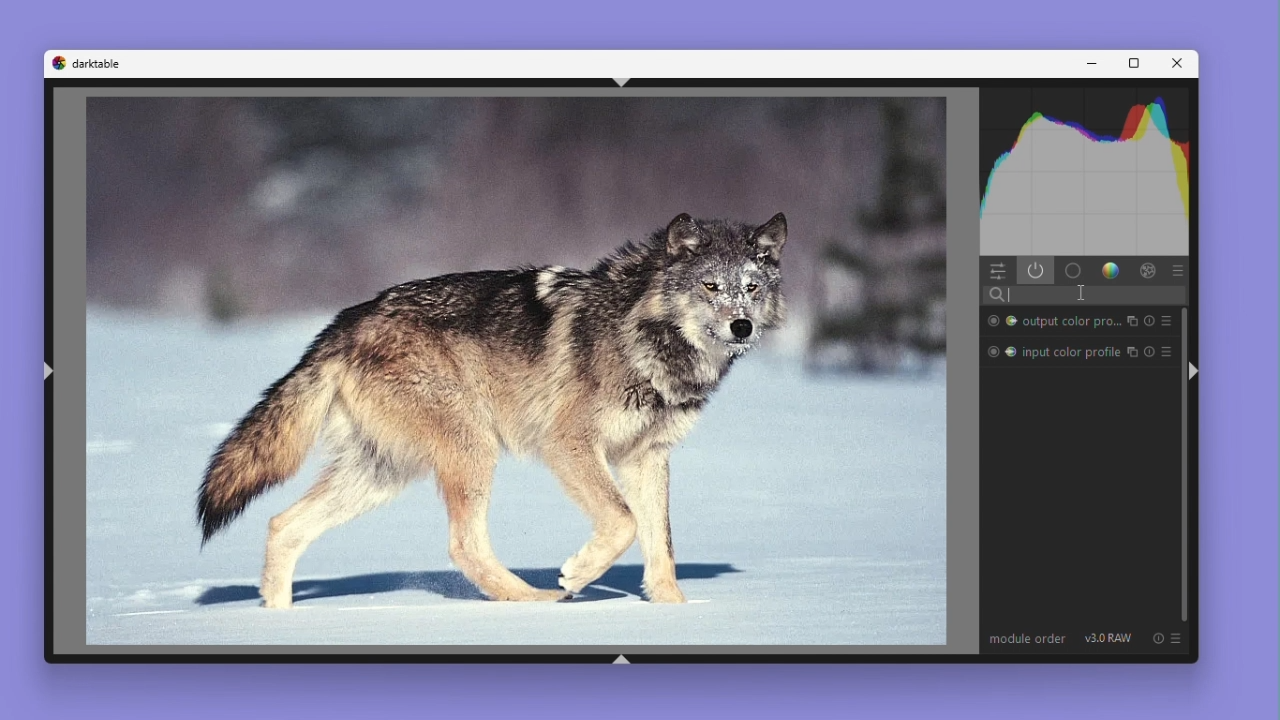  Describe the element at coordinates (1132, 353) in the screenshot. I see `enable/diable module` at that location.